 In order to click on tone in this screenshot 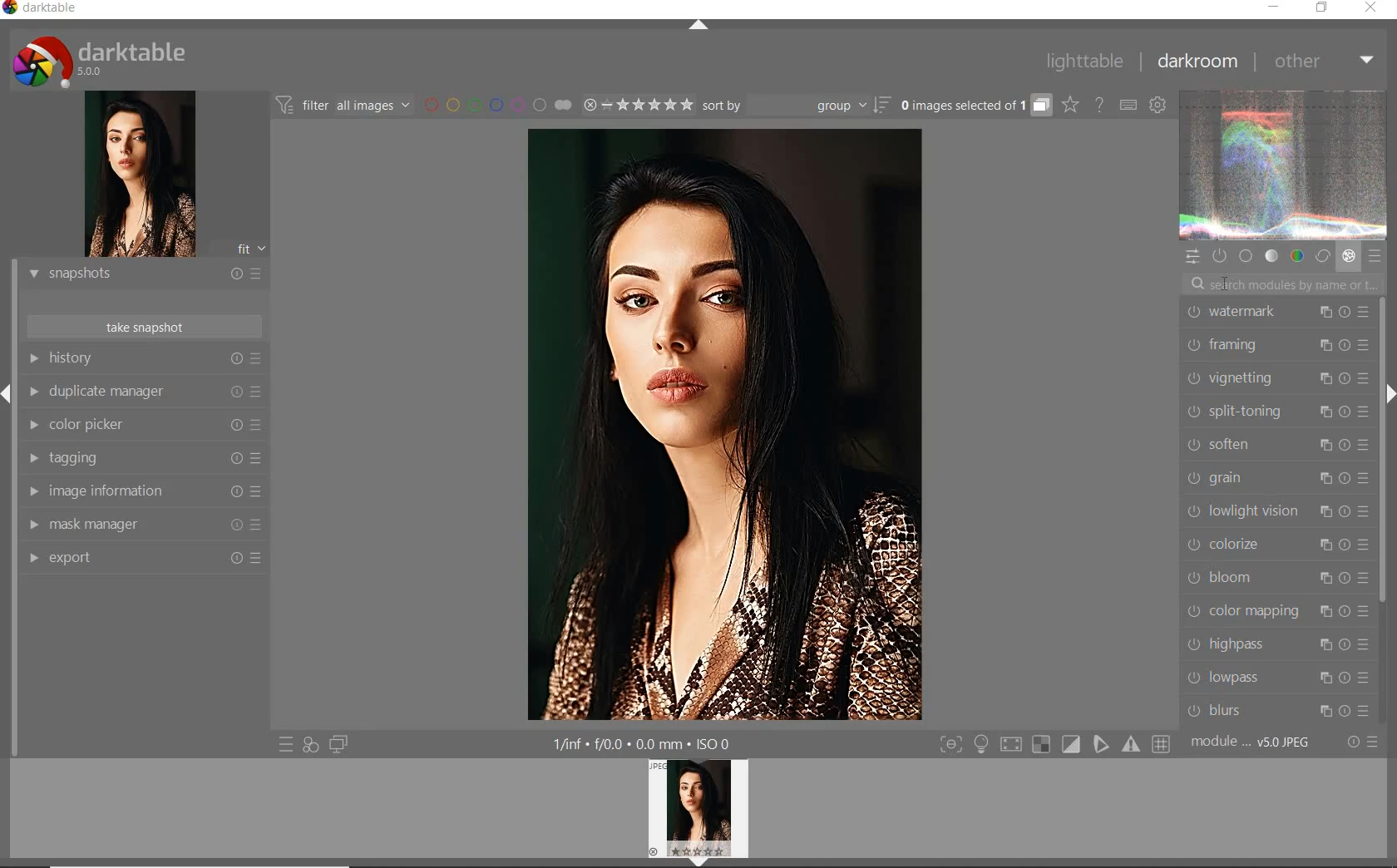, I will do `click(1271, 258)`.